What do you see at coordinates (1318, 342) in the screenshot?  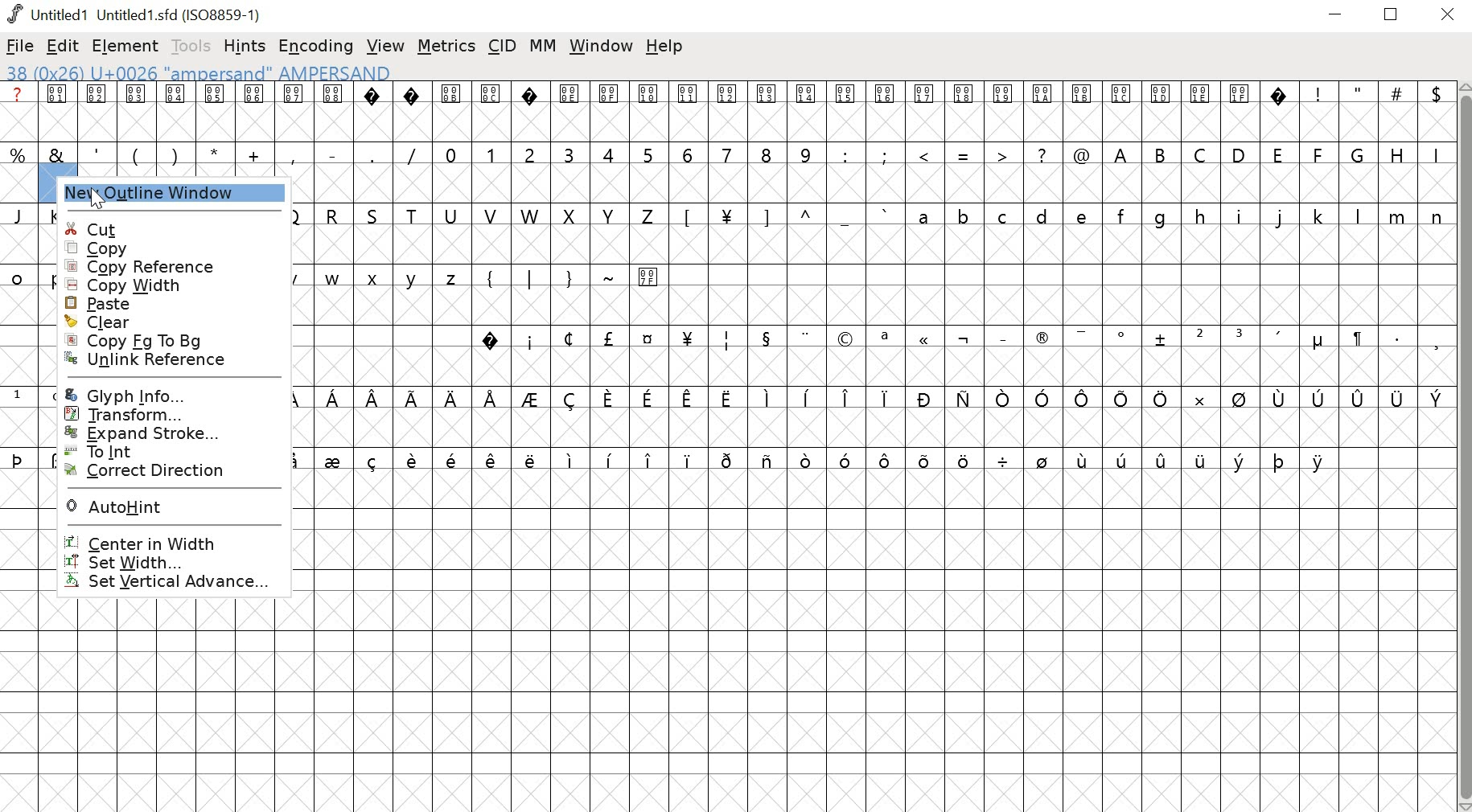 I see `Symbol` at bounding box center [1318, 342].